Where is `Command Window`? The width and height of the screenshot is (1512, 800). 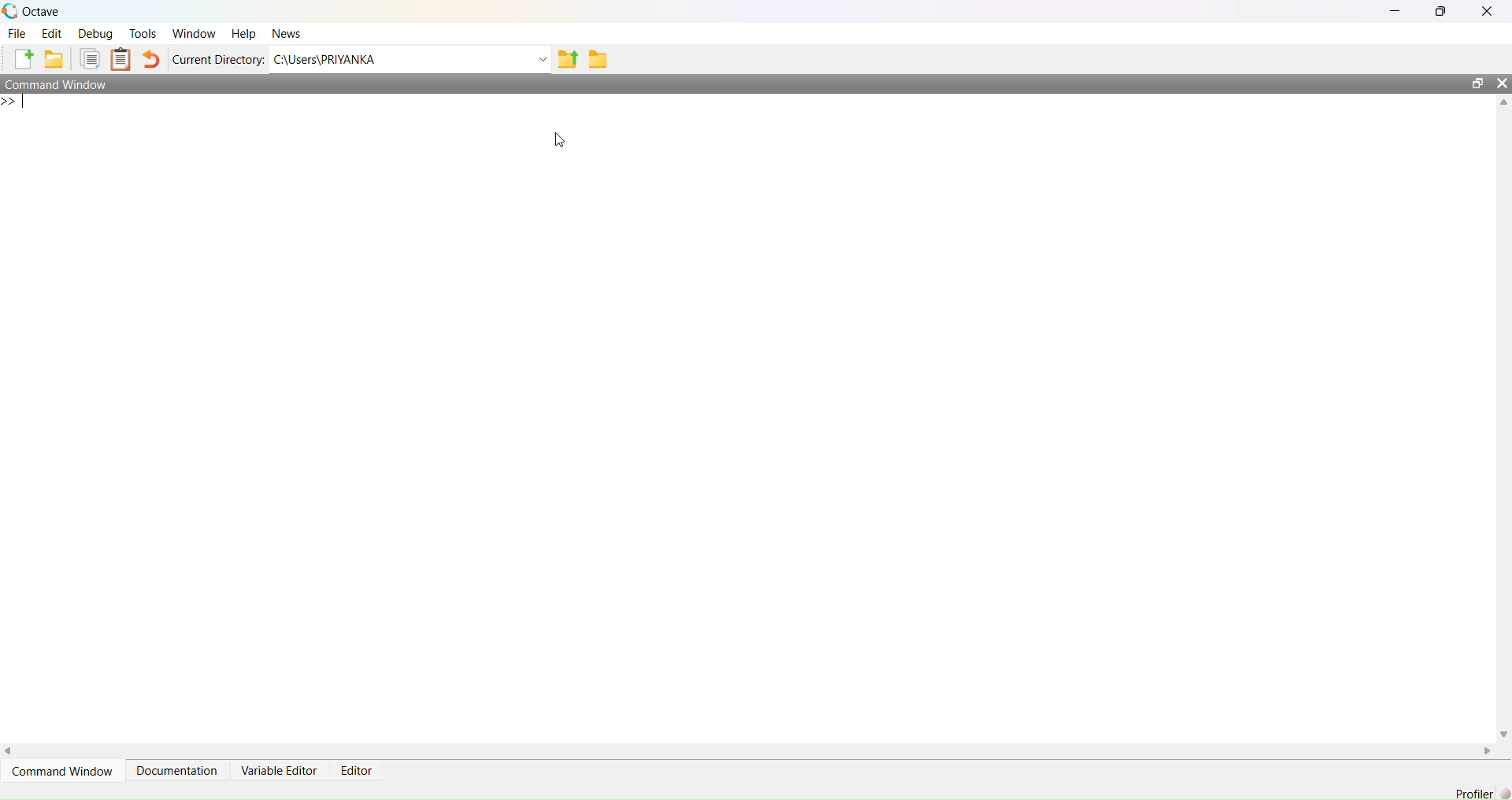 Command Window is located at coordinates (62, 771).